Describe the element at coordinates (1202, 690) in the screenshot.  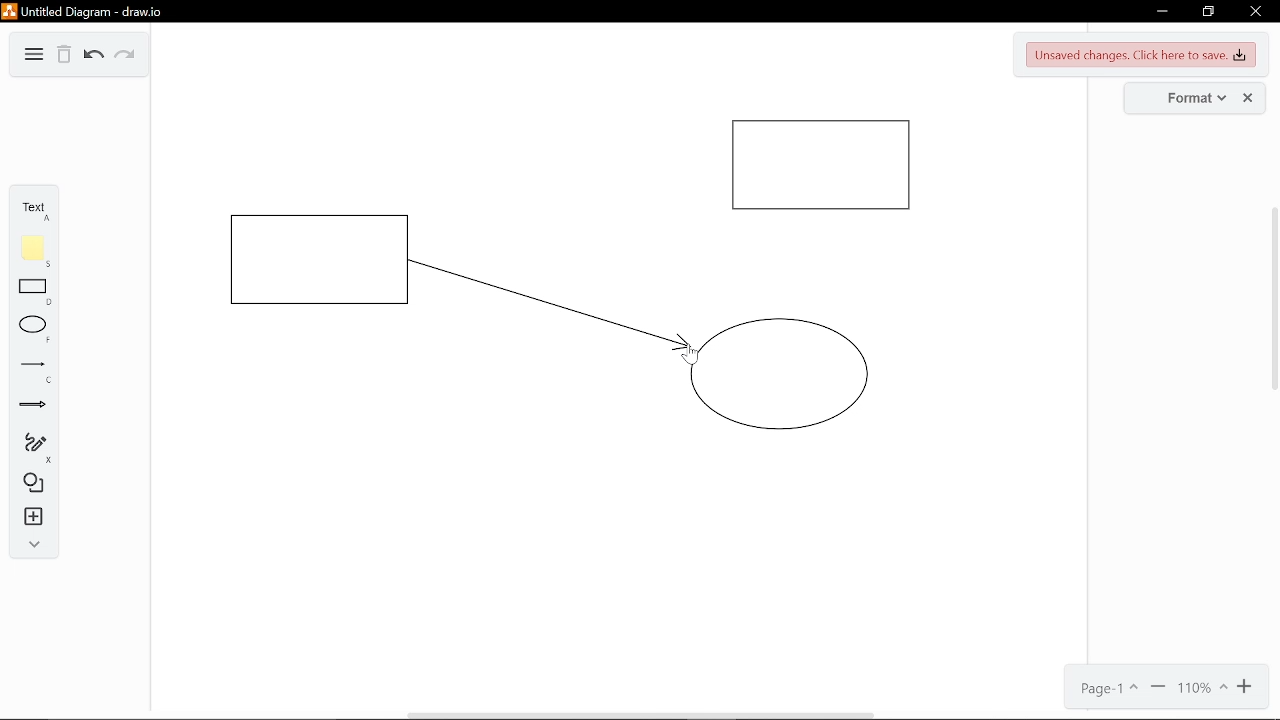
I see `Current zoom` at that location.